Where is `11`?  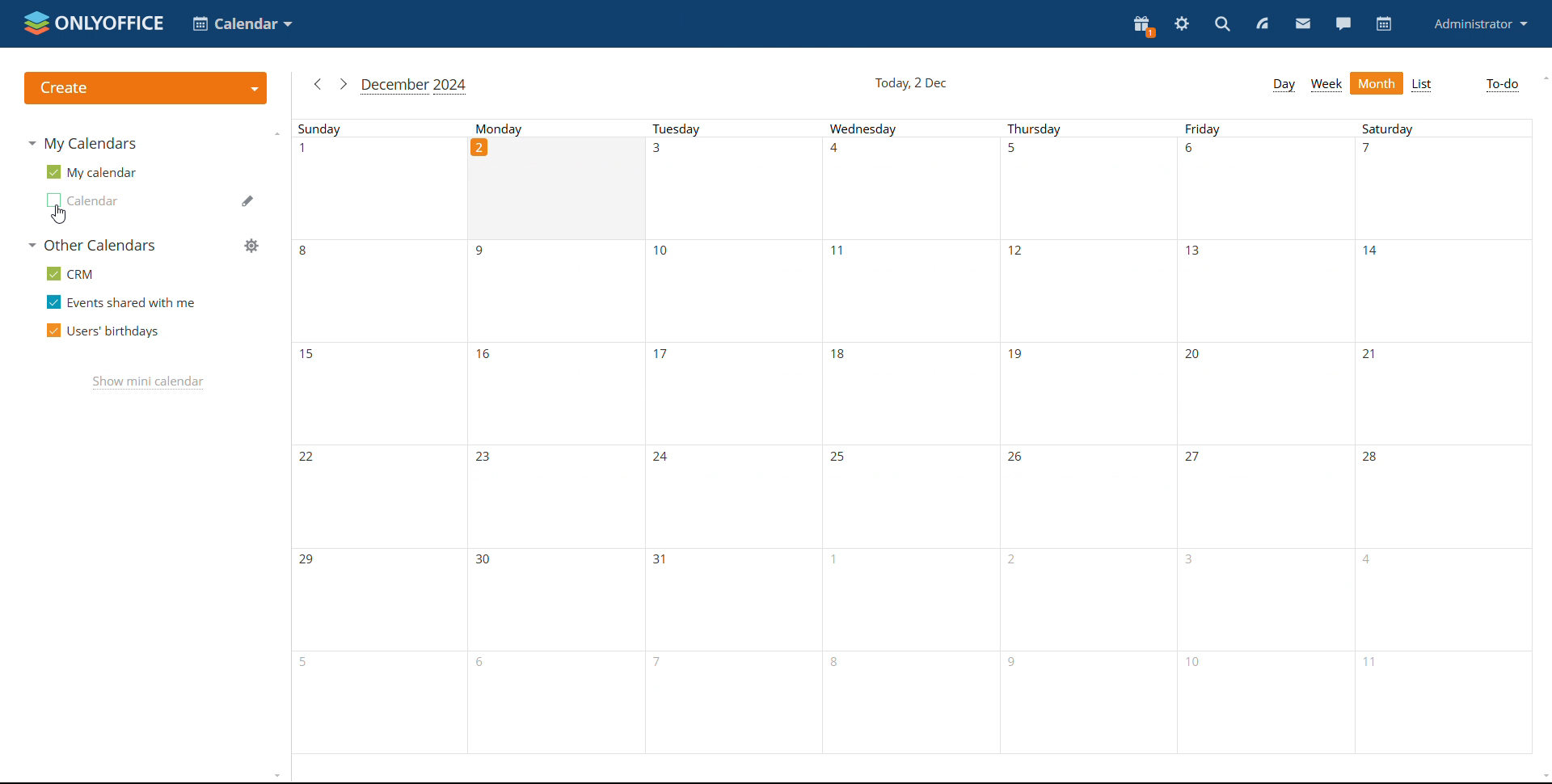
11 is located at coordinates (1442, 701).